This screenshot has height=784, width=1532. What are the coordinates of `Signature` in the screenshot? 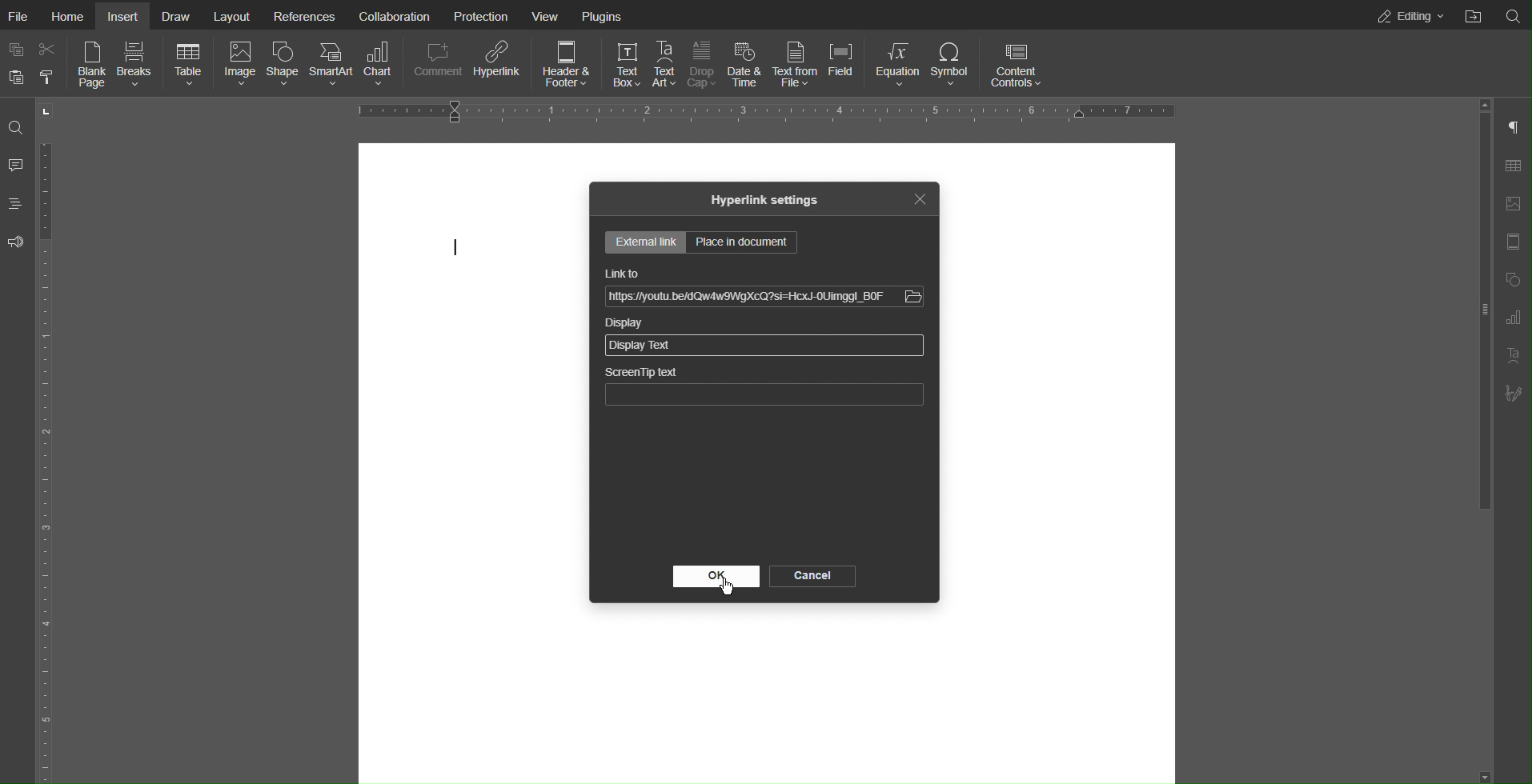 It's located at (1514, 393).